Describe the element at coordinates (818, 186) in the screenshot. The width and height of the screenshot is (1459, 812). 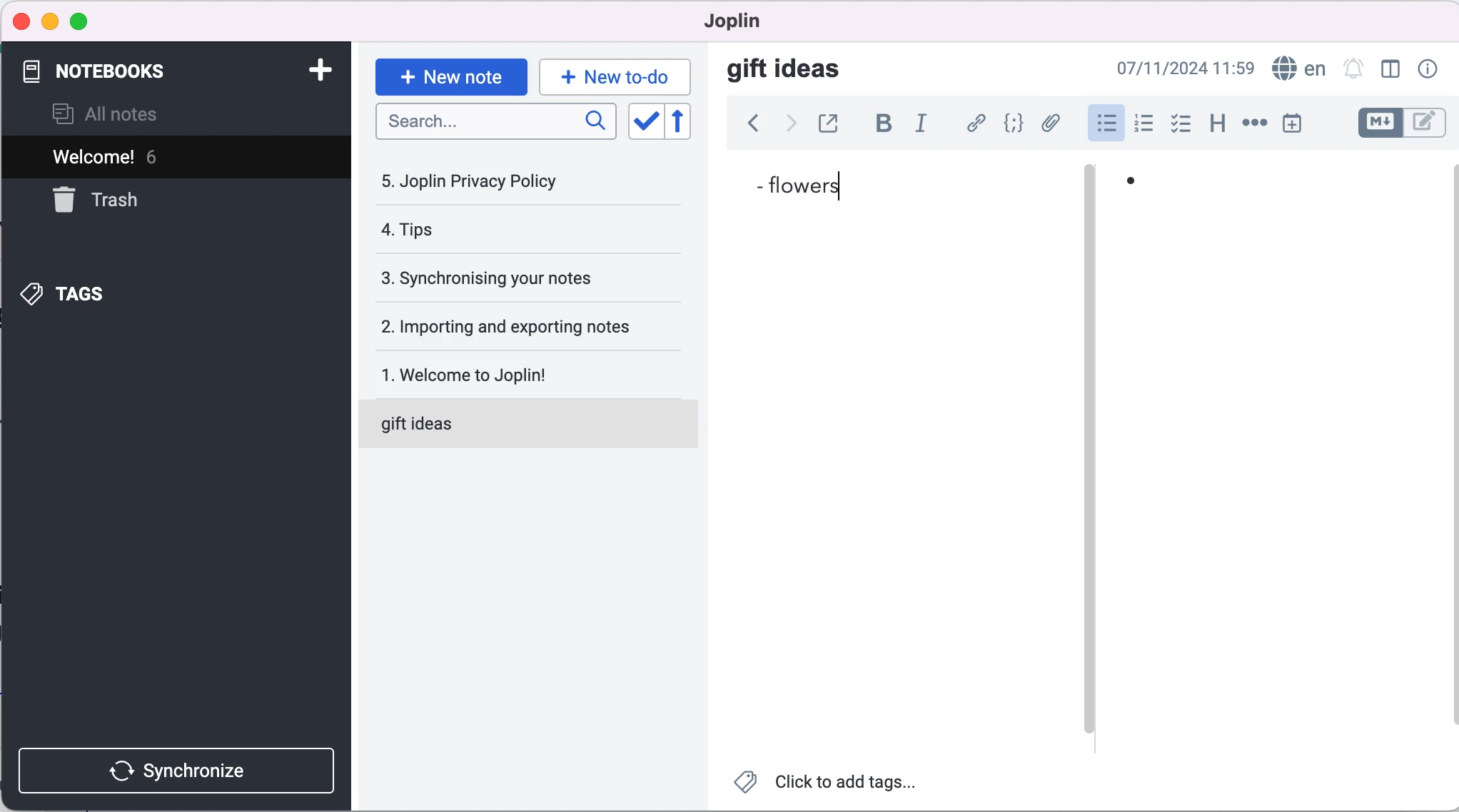
I see `flowers` at that location.